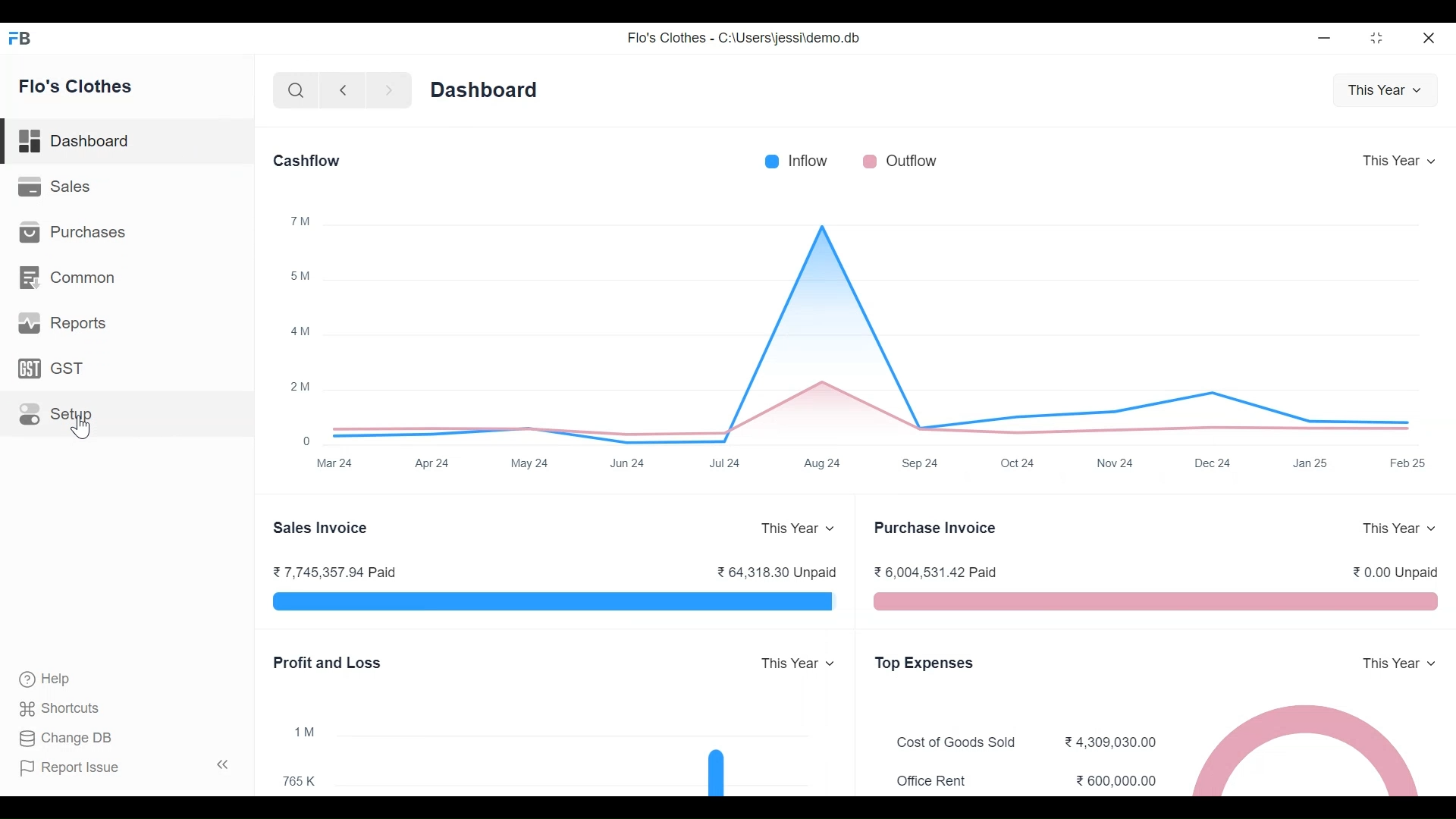 Image resolution: width=1456 pixels, height=819 pixels. I want to click on cursor, so click(80, 427).